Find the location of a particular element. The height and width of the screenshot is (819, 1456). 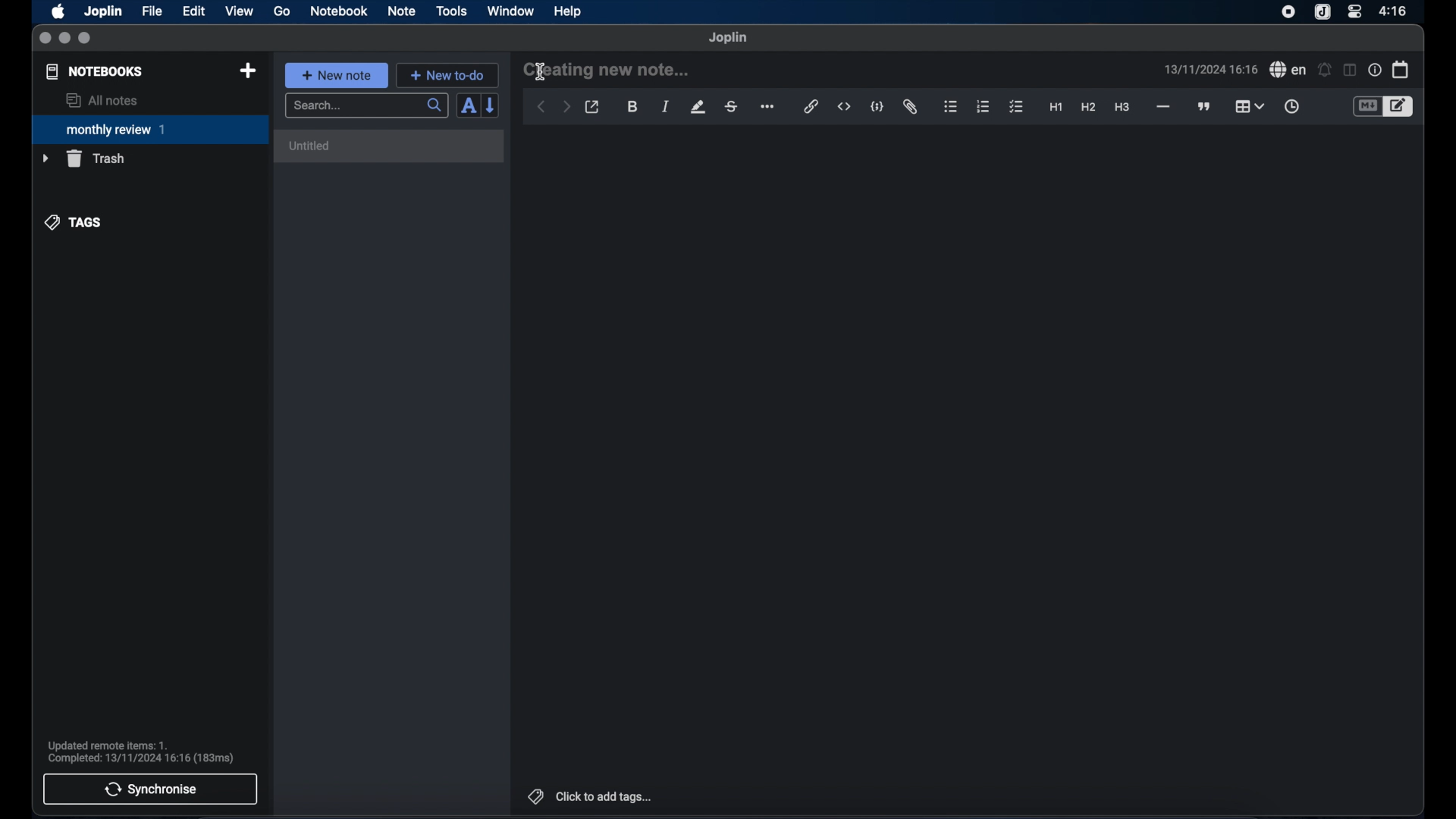

apple icon is located at coordinates (57, 11).